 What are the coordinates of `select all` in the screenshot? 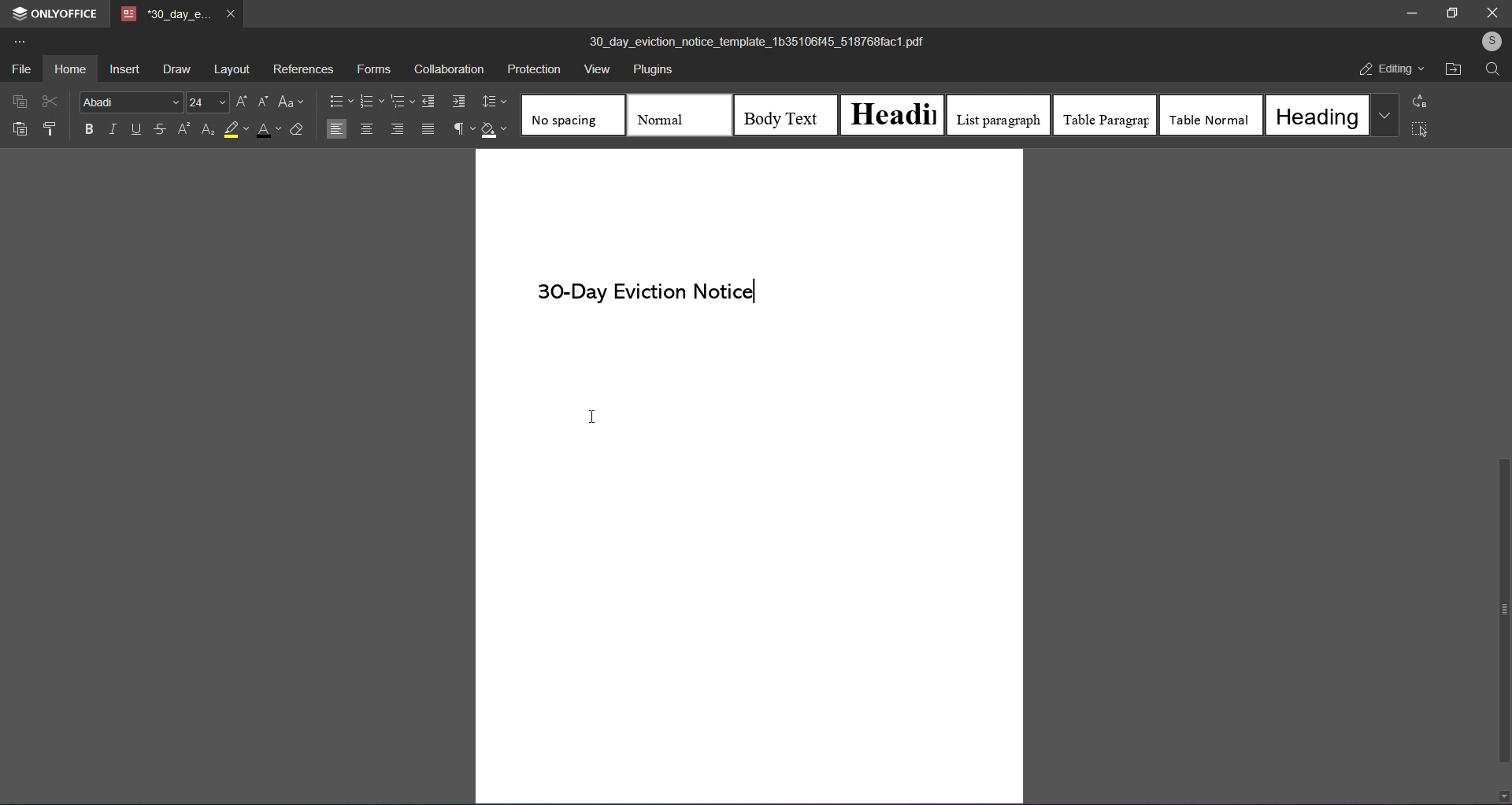 It's located at (1420, 131).